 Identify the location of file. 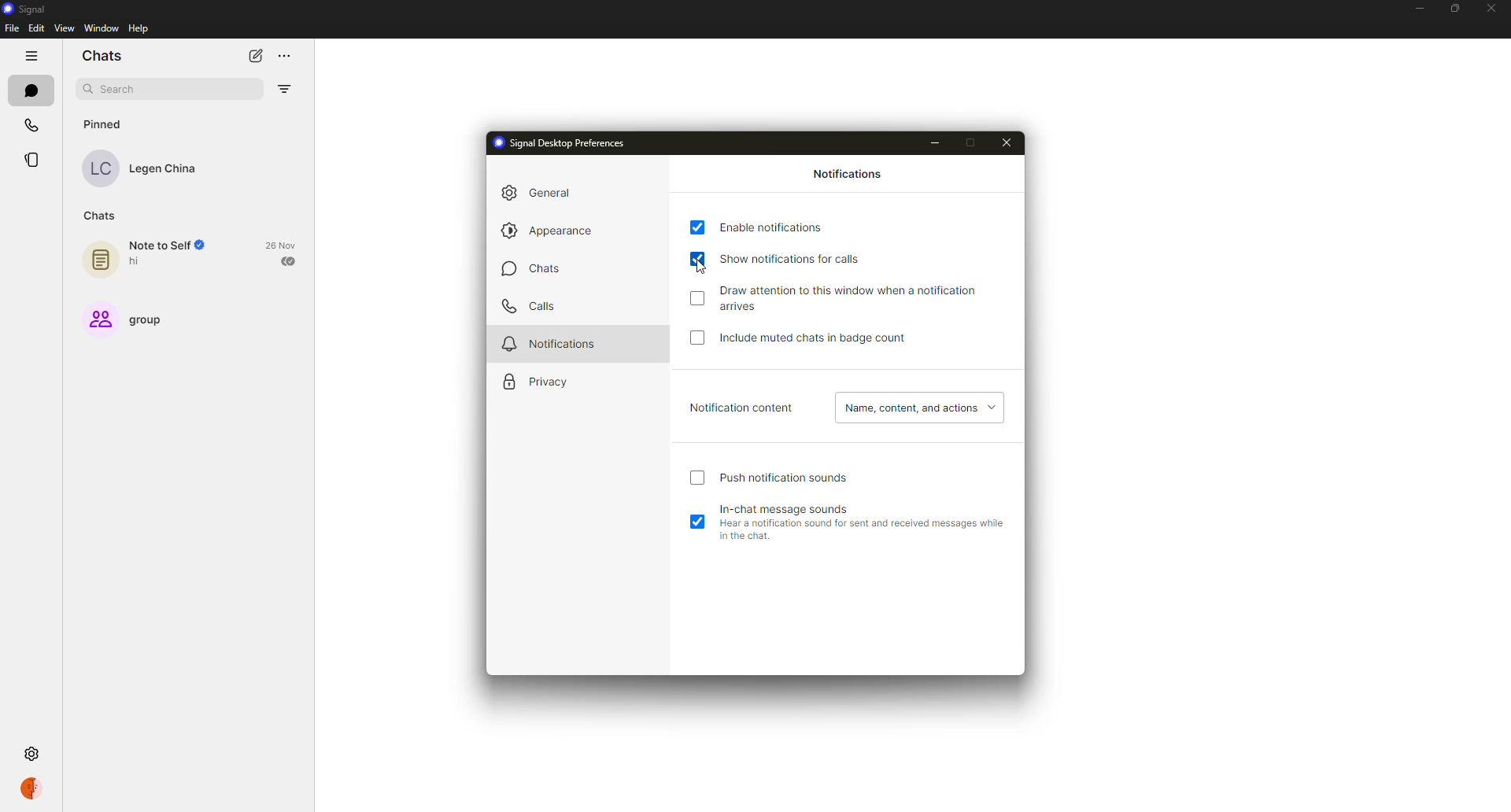
(12, 28).